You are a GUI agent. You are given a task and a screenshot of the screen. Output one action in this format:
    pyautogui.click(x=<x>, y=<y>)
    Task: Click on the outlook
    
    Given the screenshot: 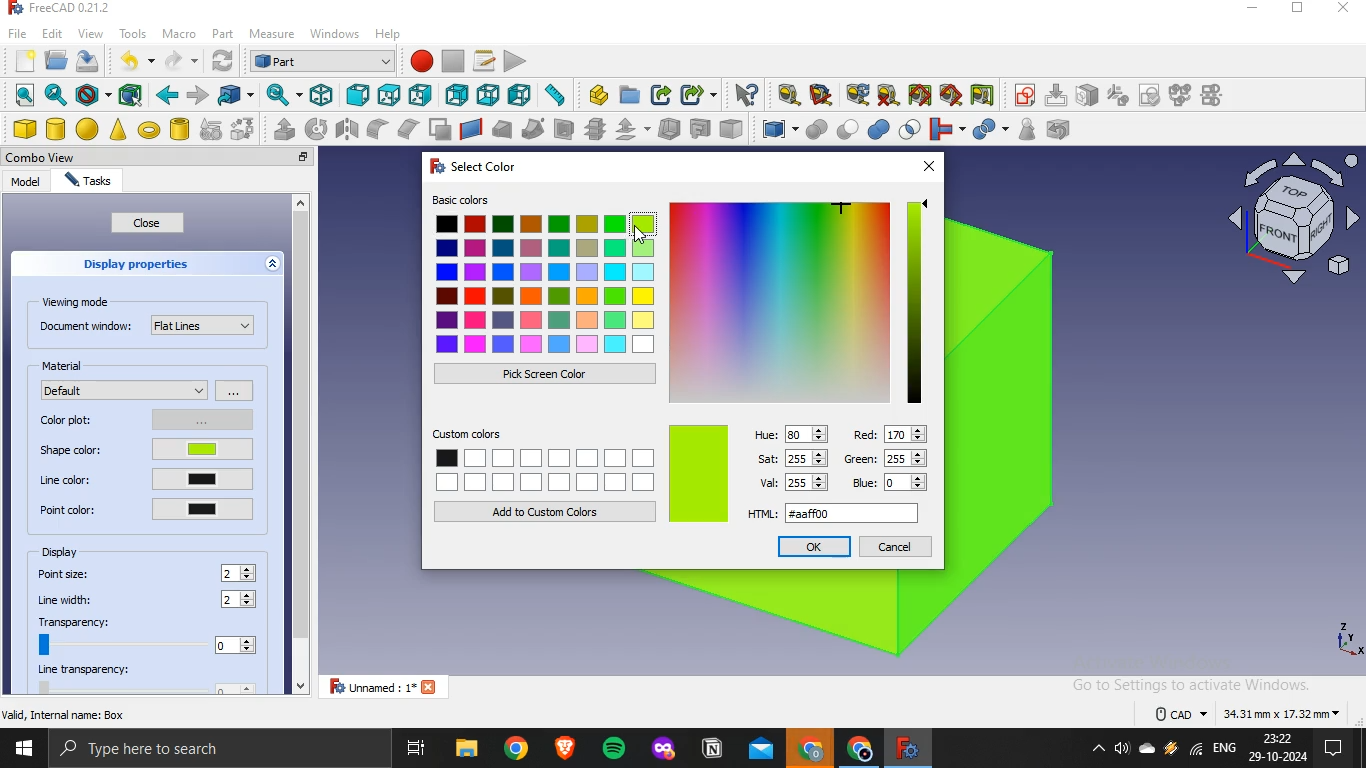 What is the action you would take?
    pyautogui.click(x=762, y=751)
    